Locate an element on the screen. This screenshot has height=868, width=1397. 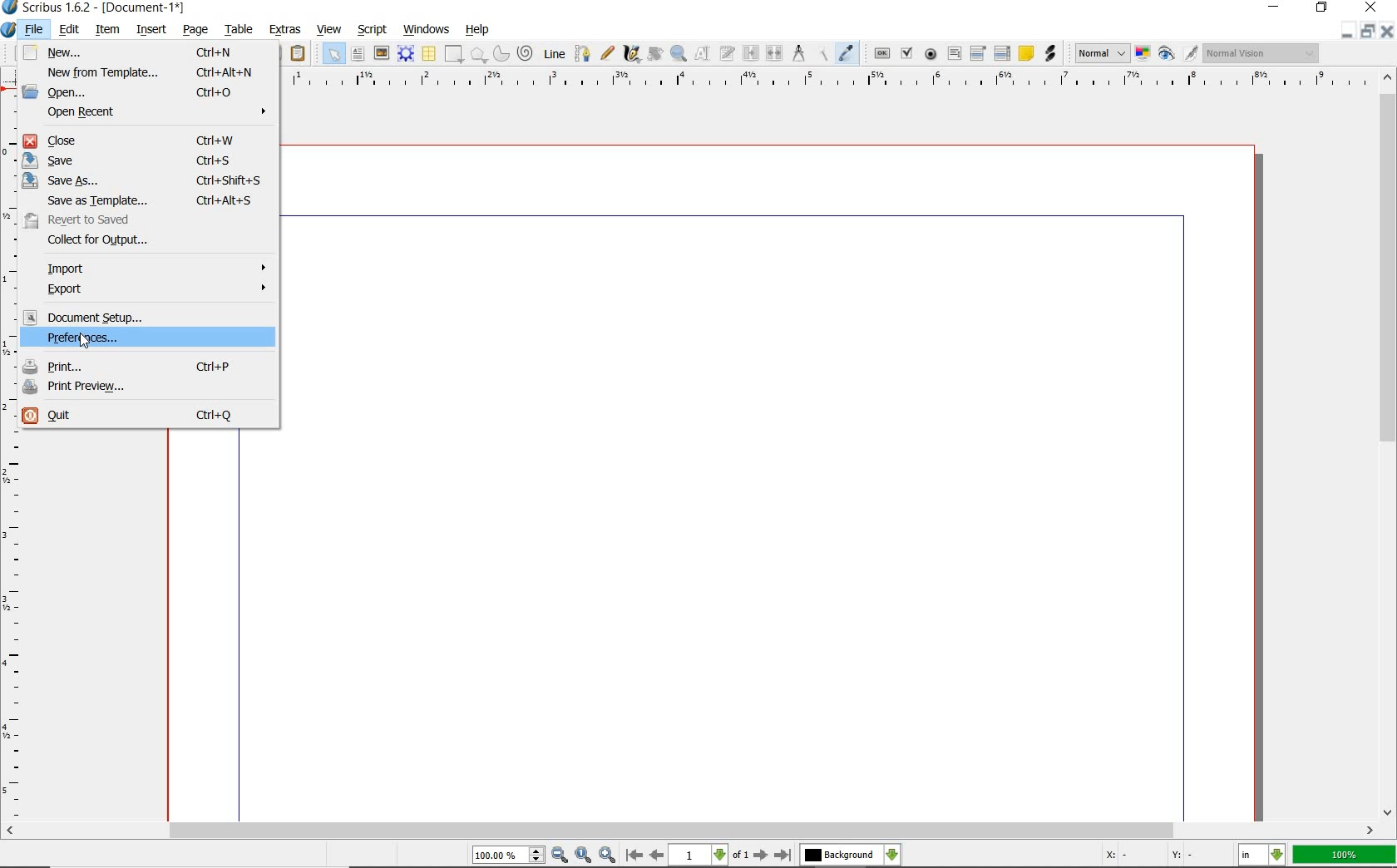
link text frames is located at coordinates (753, 53).